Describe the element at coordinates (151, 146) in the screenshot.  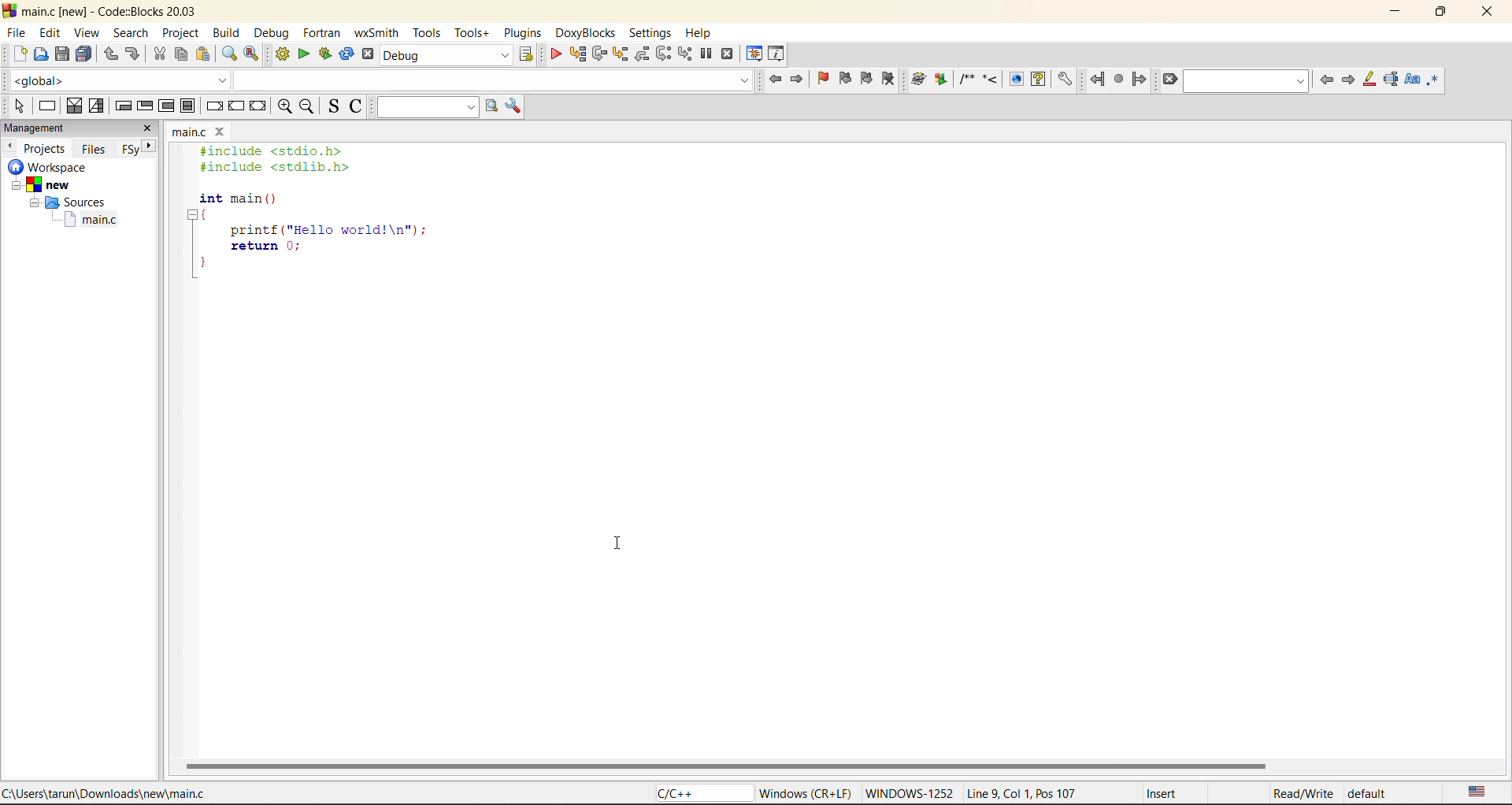
I see `next` at that location.